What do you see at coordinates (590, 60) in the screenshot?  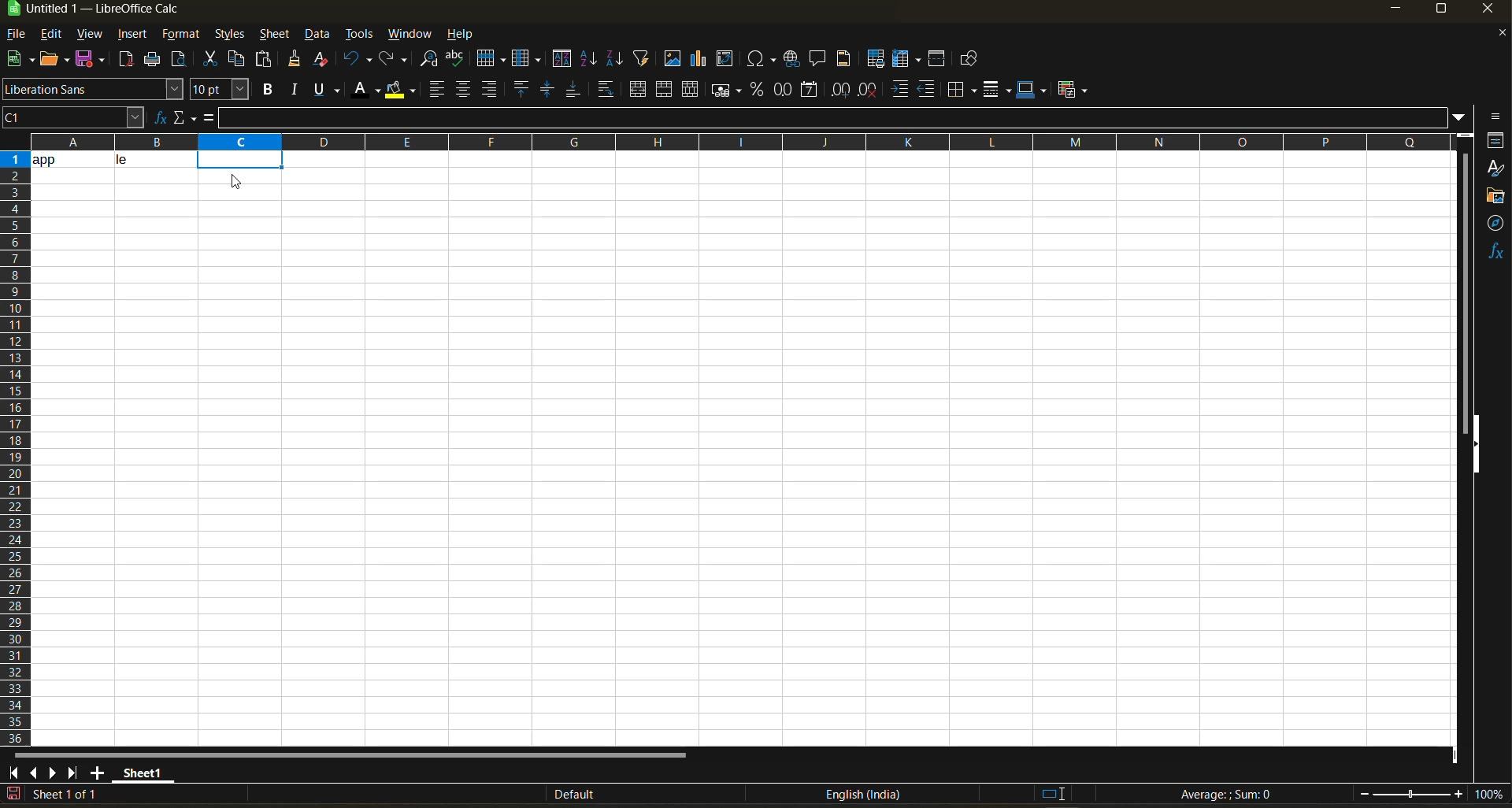 I see `sort ascending` at bounding box center [590, 60].